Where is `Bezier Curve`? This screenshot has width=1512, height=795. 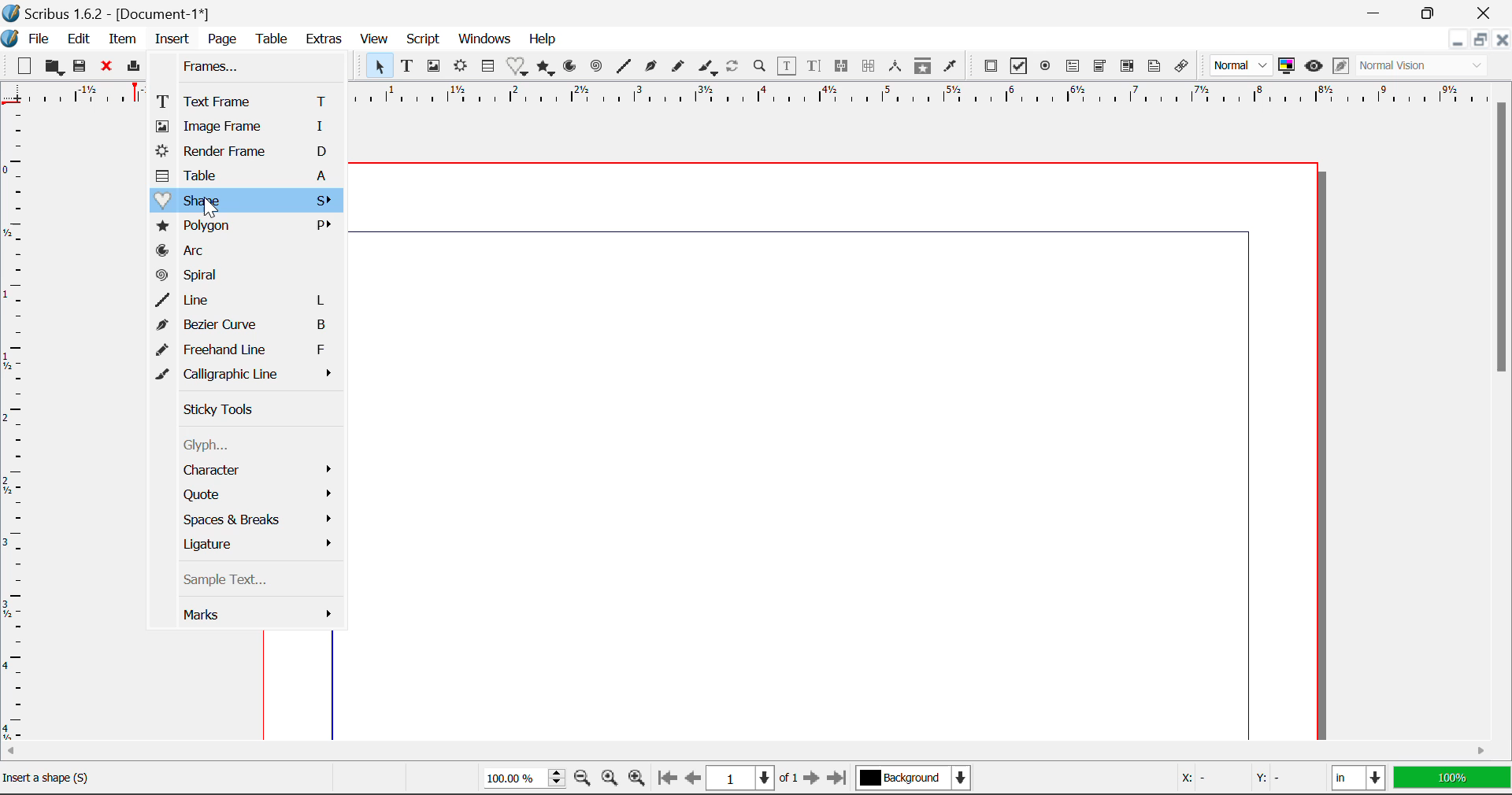 Bezier Curve is located at coordinates (250, 327).